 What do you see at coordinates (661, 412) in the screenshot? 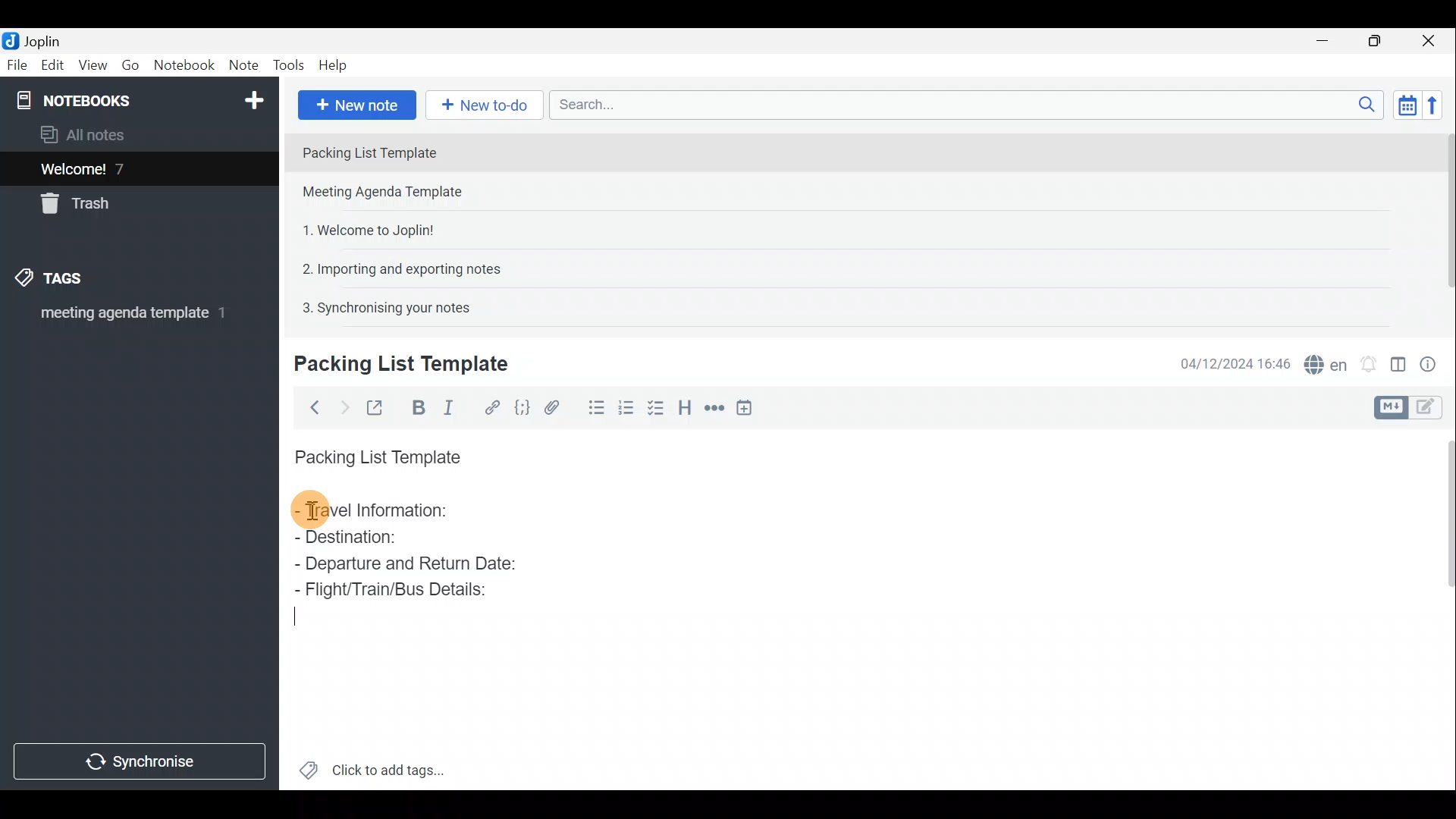
I see `Checkbox` at bounding box center [661, 412].